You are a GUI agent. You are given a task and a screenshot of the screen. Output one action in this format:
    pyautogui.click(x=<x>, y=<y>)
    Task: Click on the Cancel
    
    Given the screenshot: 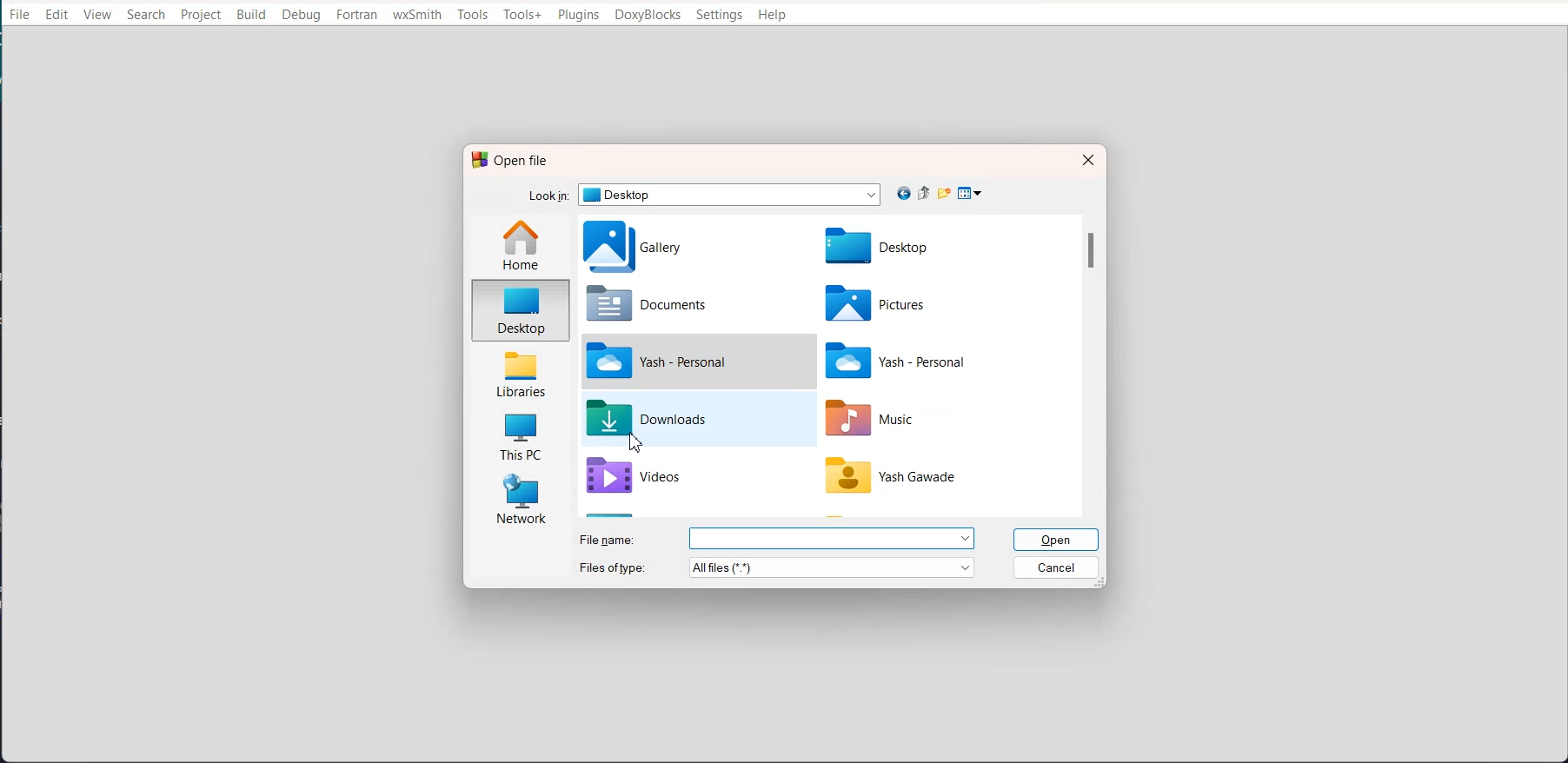 What is the action you would take?
    pyautogui.click(x=1058, y=567)
    